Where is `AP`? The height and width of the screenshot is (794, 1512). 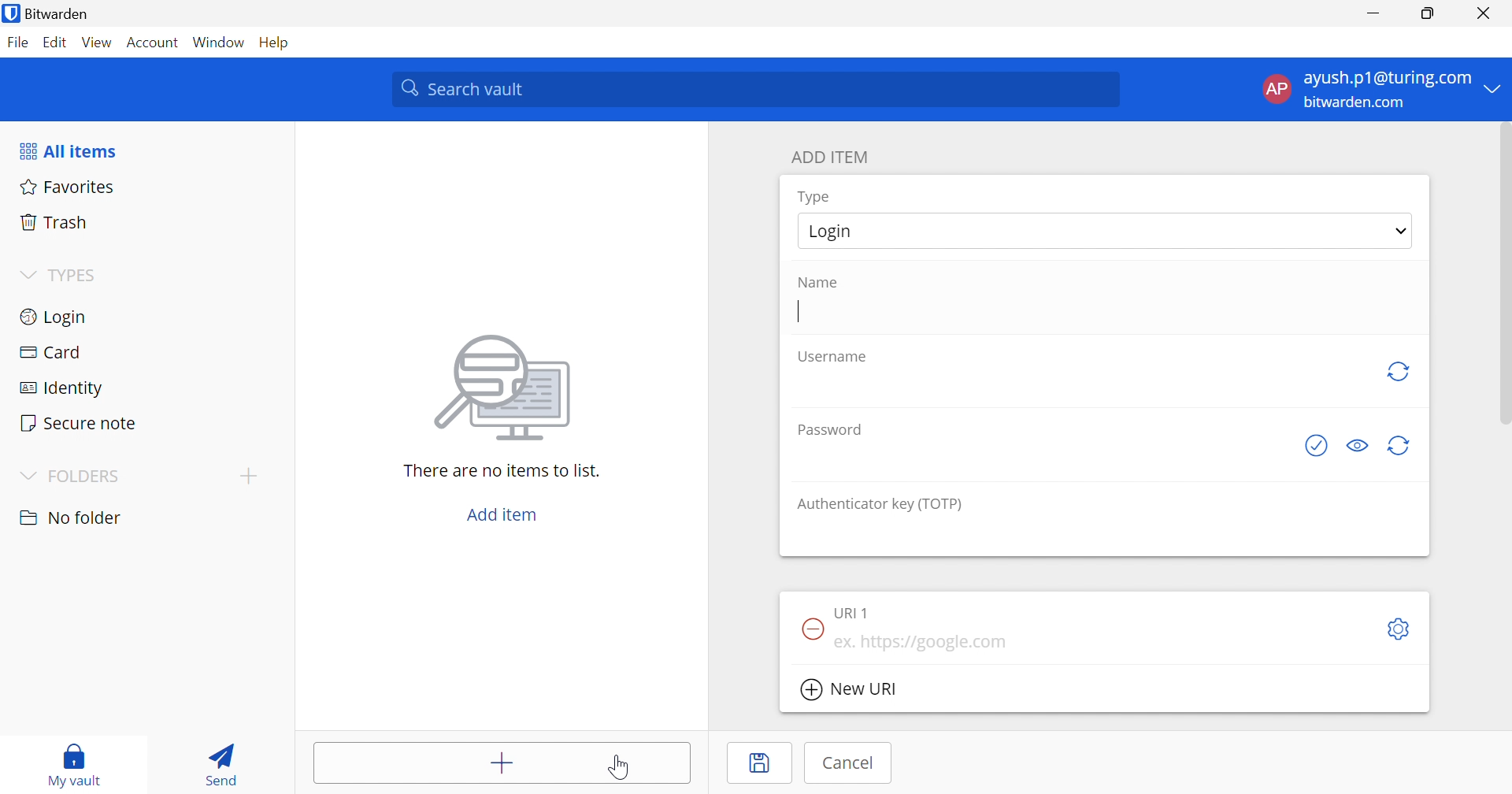 AP is located at coordinates (1275, 92).